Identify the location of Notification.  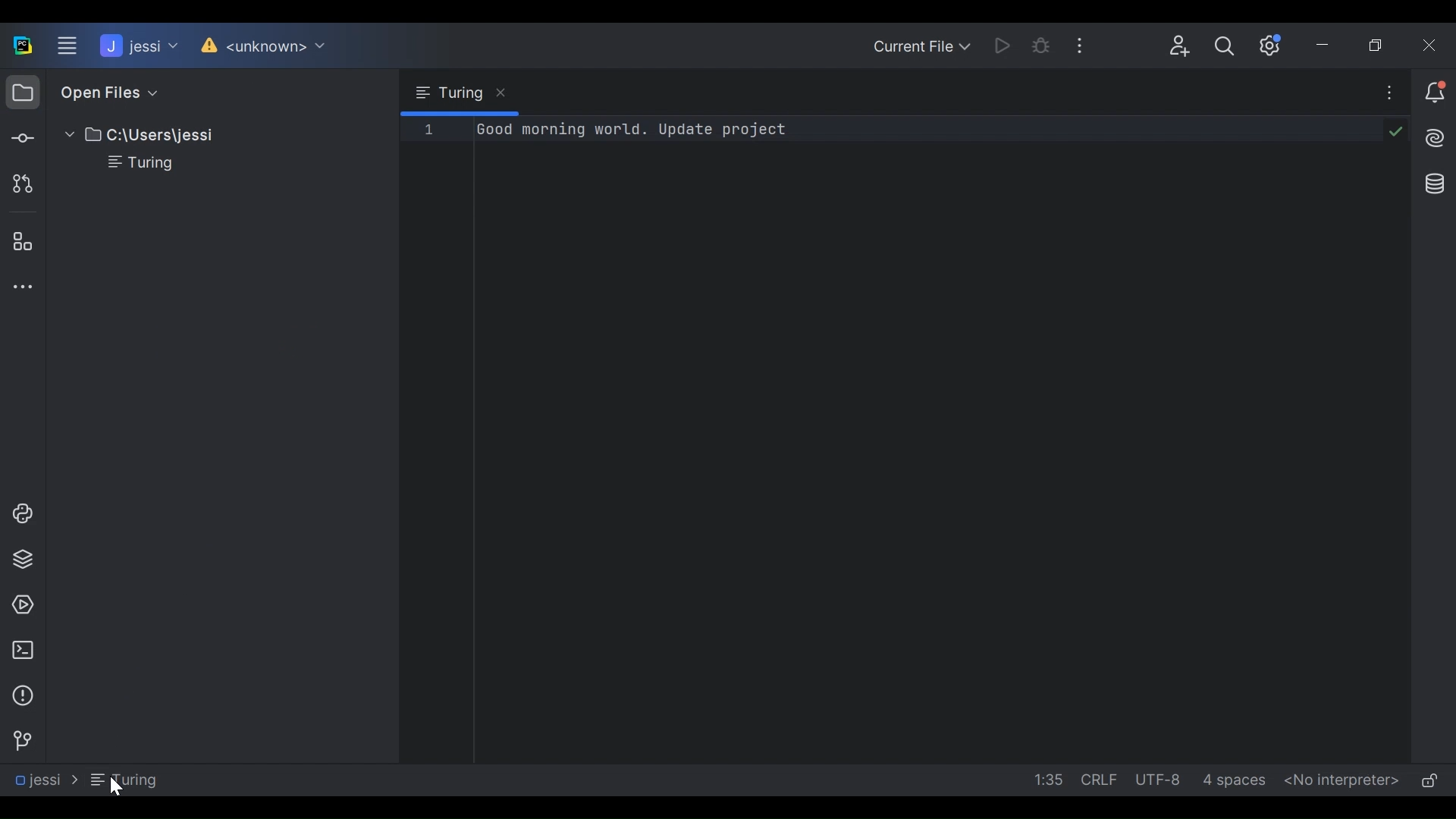
(1436, 93).